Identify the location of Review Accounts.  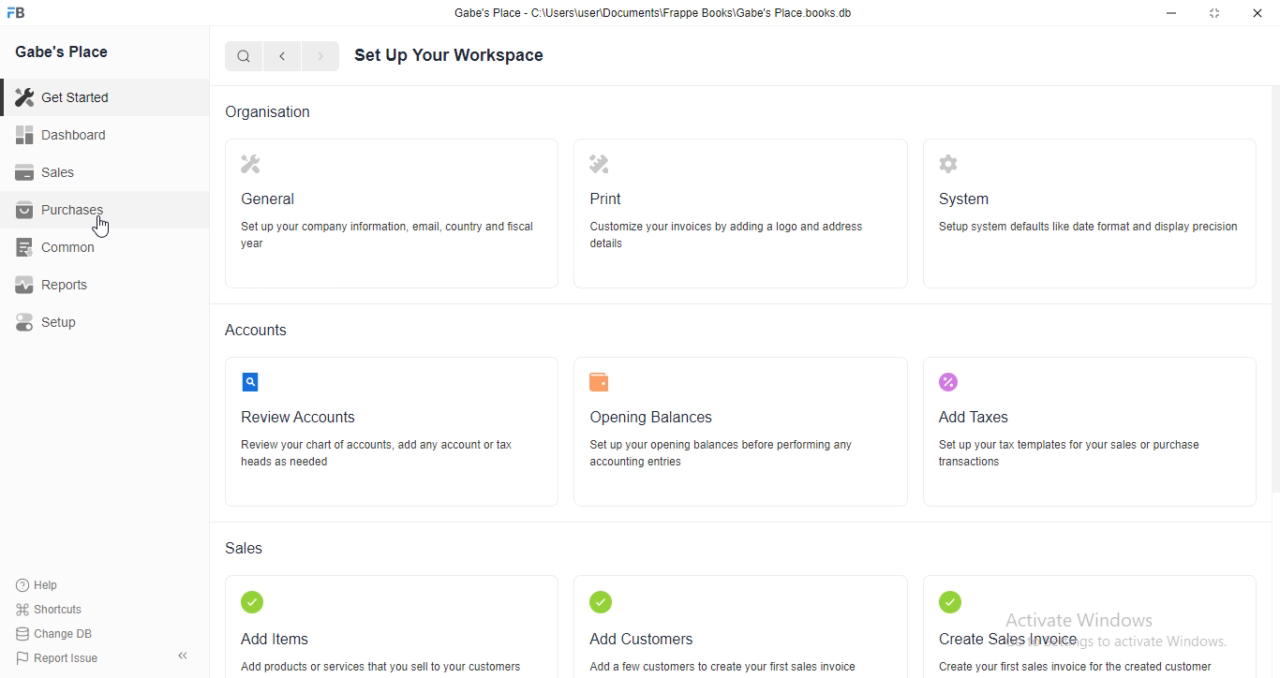
(302, 418).